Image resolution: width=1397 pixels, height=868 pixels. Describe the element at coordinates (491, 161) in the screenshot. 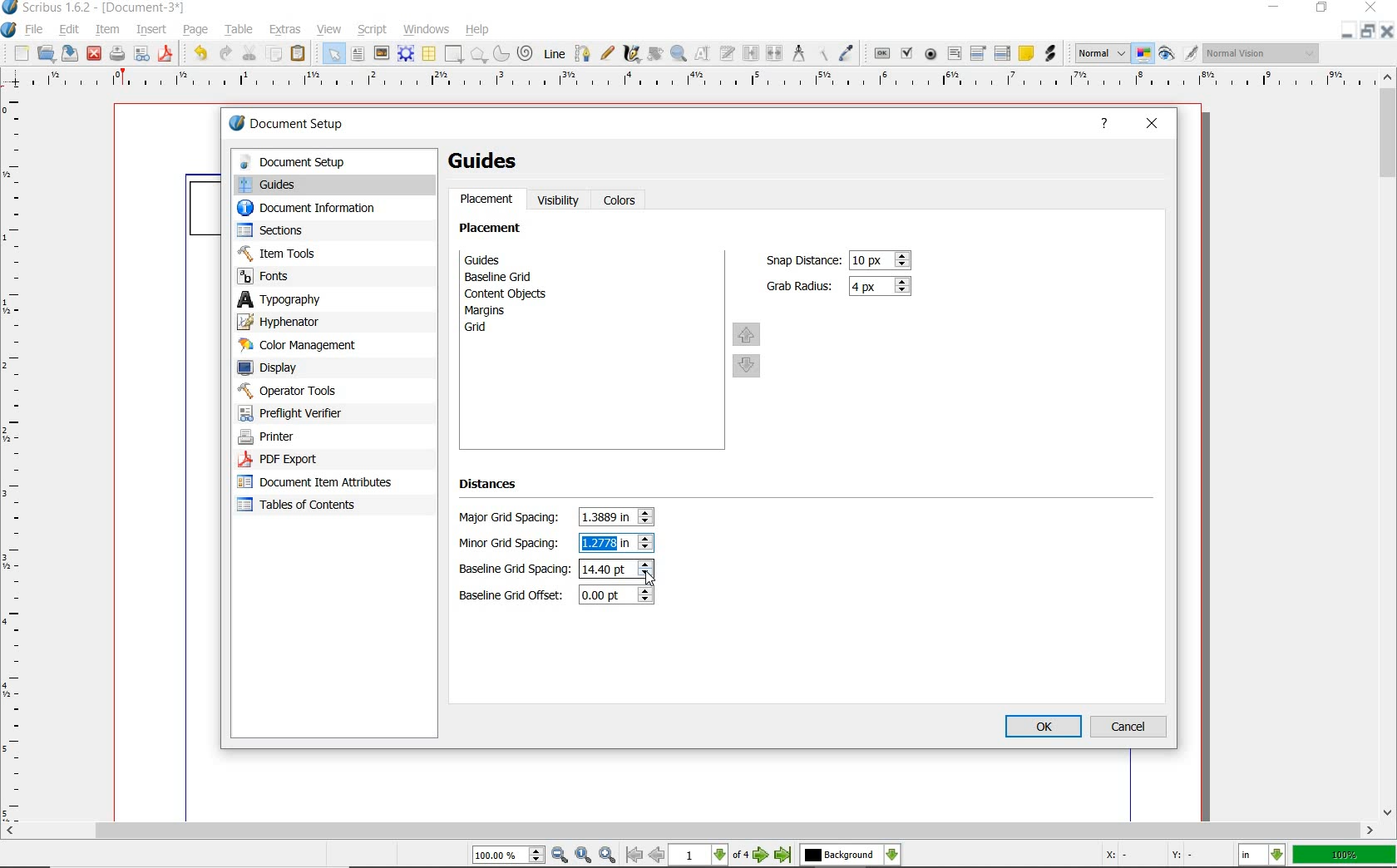

I see `guides` at that location.